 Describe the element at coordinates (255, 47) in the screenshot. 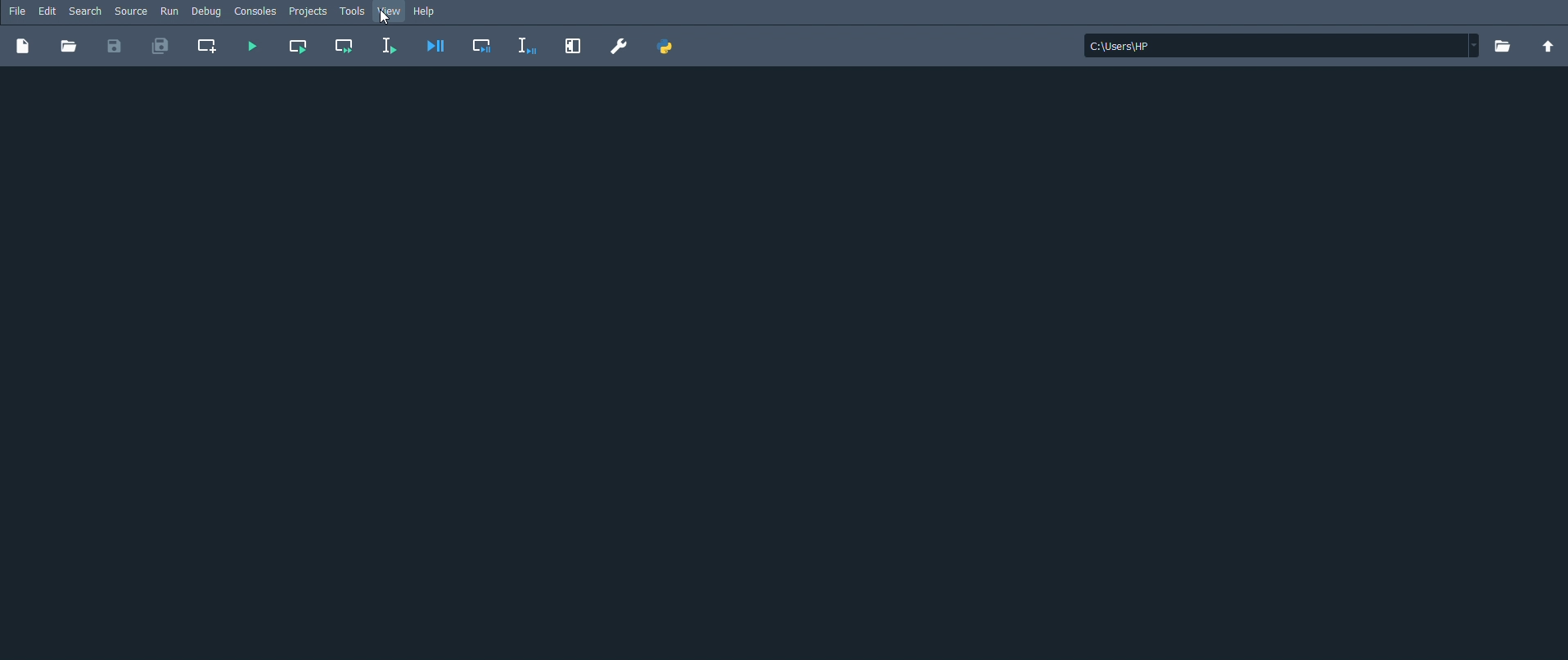

I see `Run file` at that location.